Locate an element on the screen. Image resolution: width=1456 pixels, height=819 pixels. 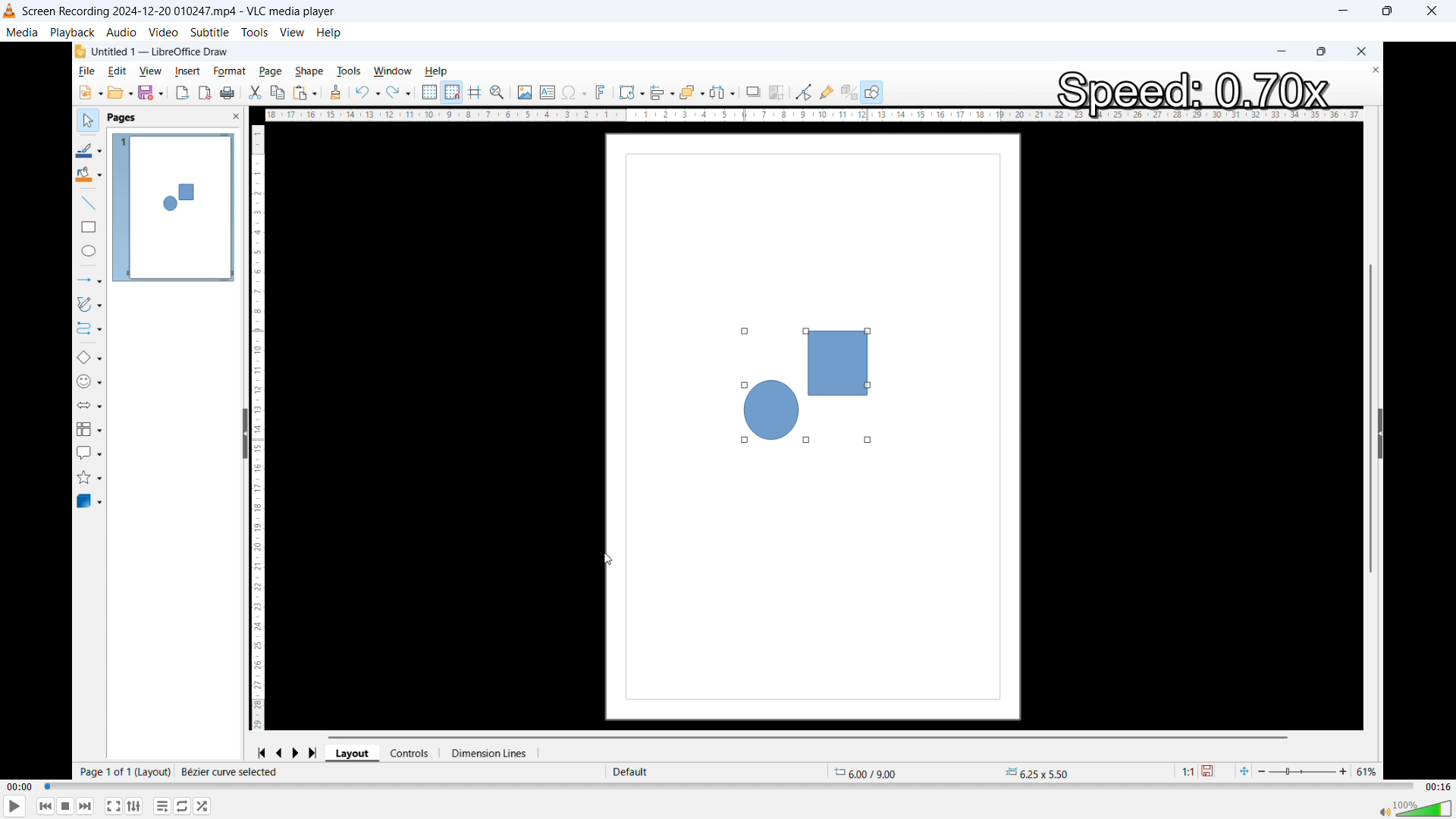
Toggle playlist  is located at coordinates (162, 805).